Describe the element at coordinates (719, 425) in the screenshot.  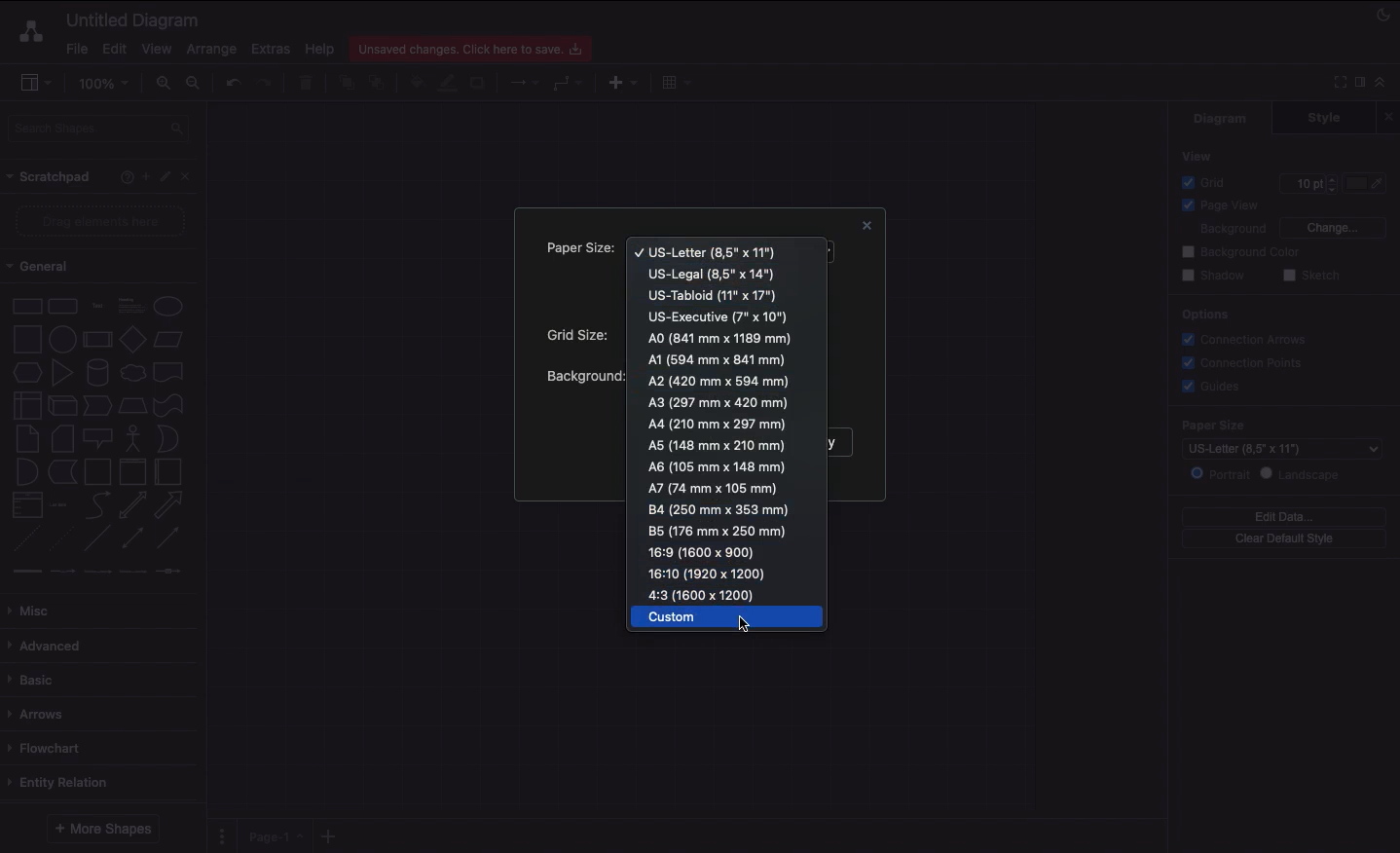
I see `A4` at that location.